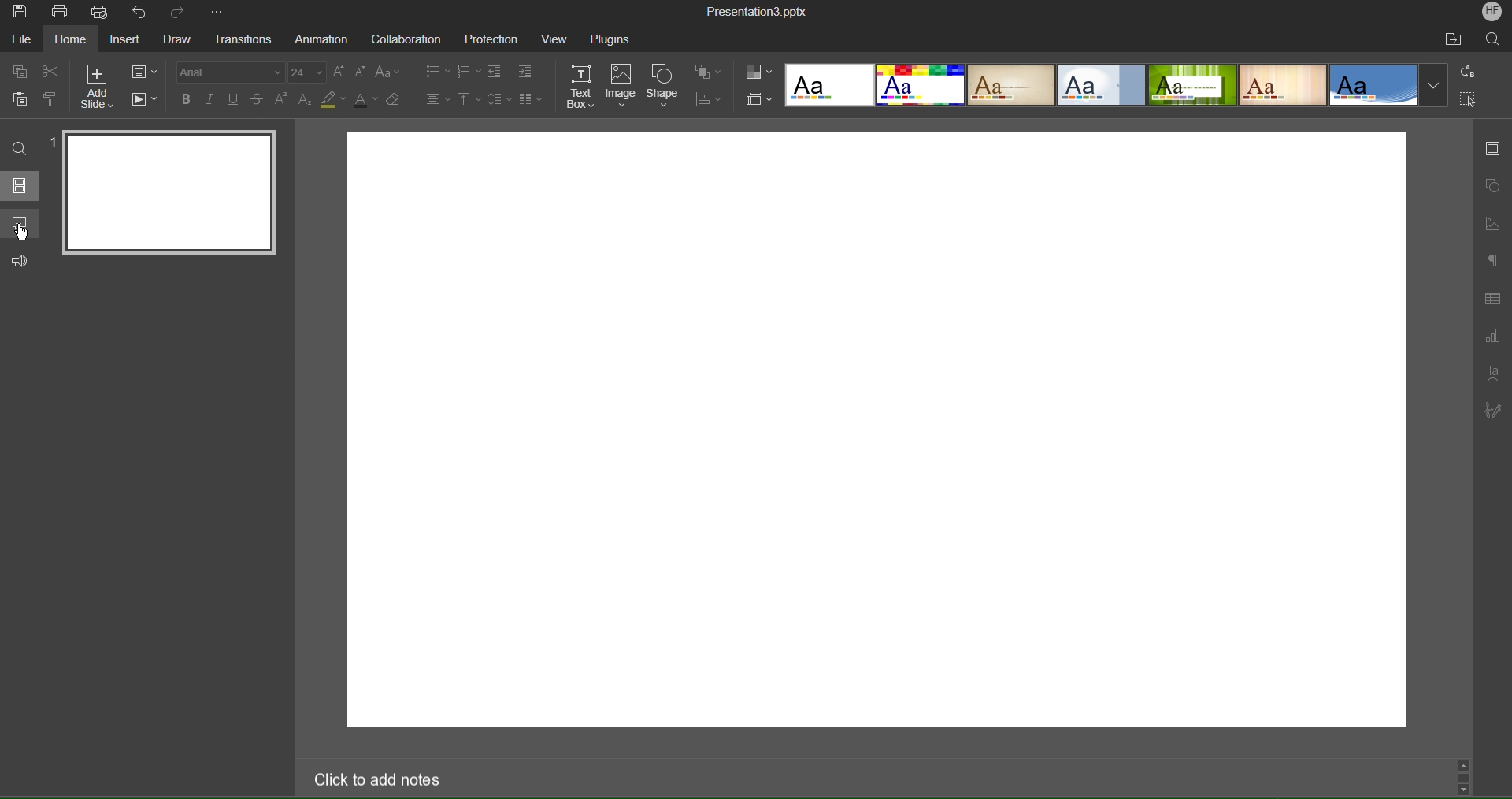 The height and width of the screenshot is (799, 1512). I want to click on Subscript, so click(306, 100).